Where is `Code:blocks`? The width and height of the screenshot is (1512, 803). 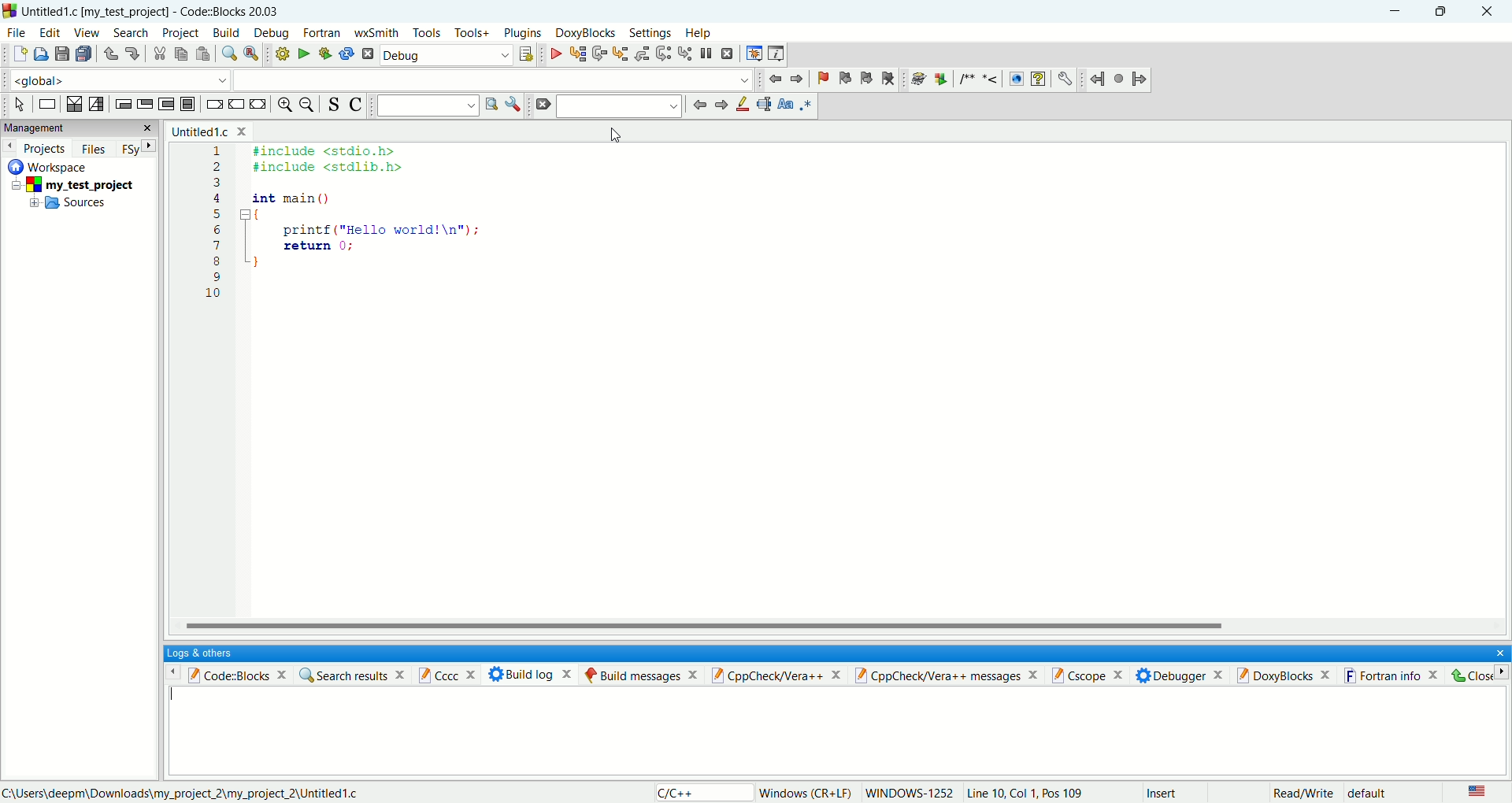 Code:blocks is located at coordinates (226, 673).